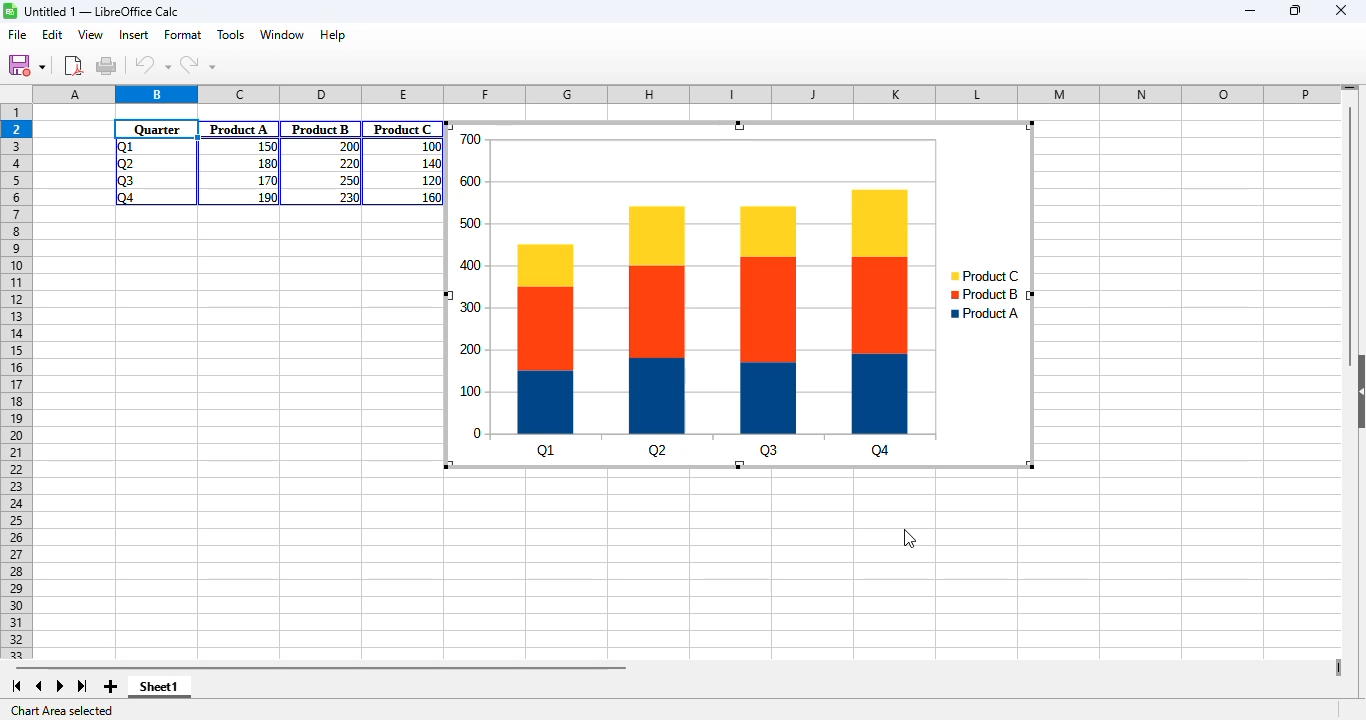  Describe the element at coordinates (125, 181) in the screenshot. I see `Q3` at that location.